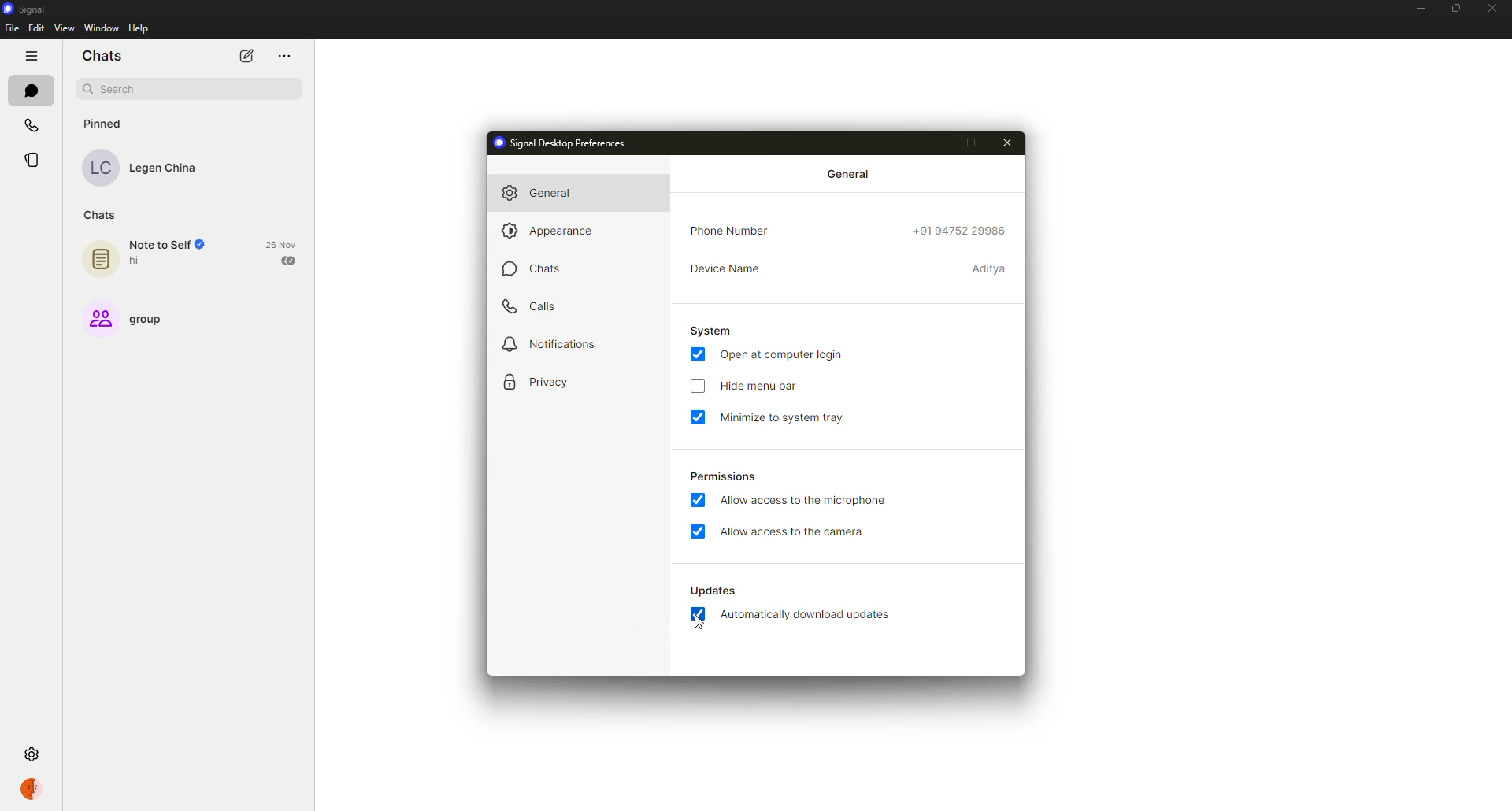 The image size is (1512, 811). Describe the element at coordinates (140, 28) in the screenshot. I see `help` at that location.